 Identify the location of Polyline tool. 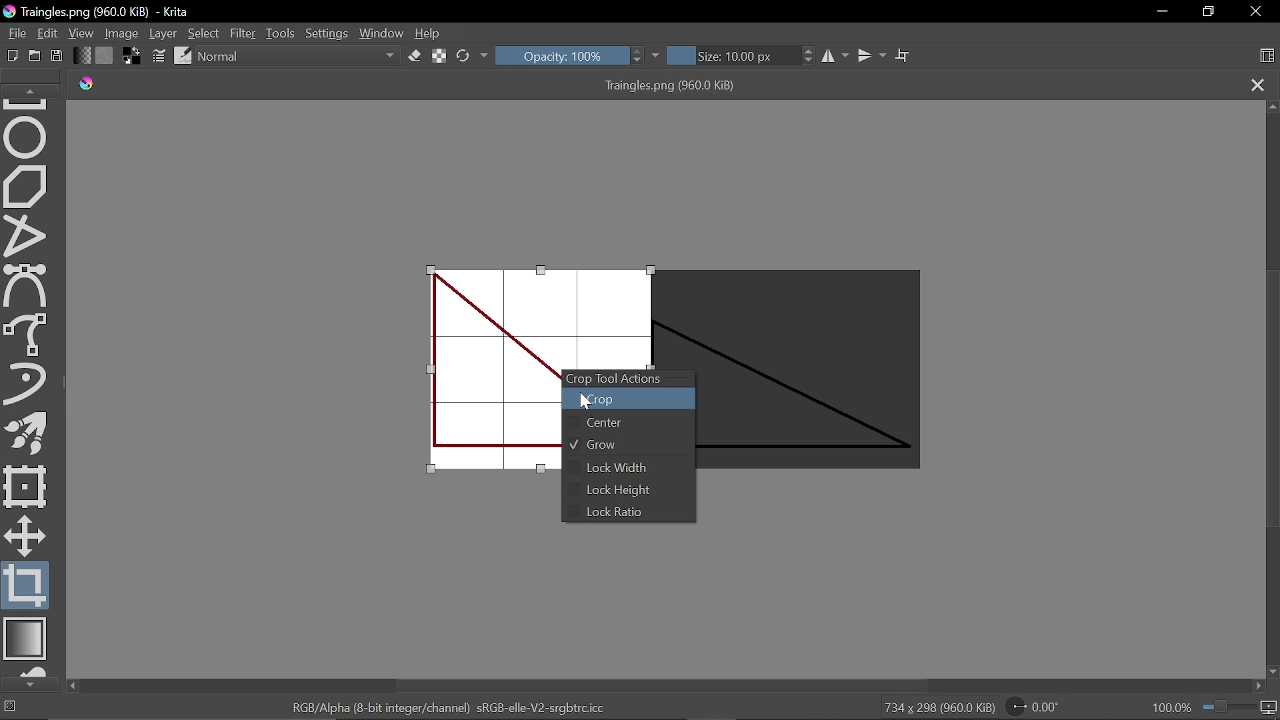
(27, 237).